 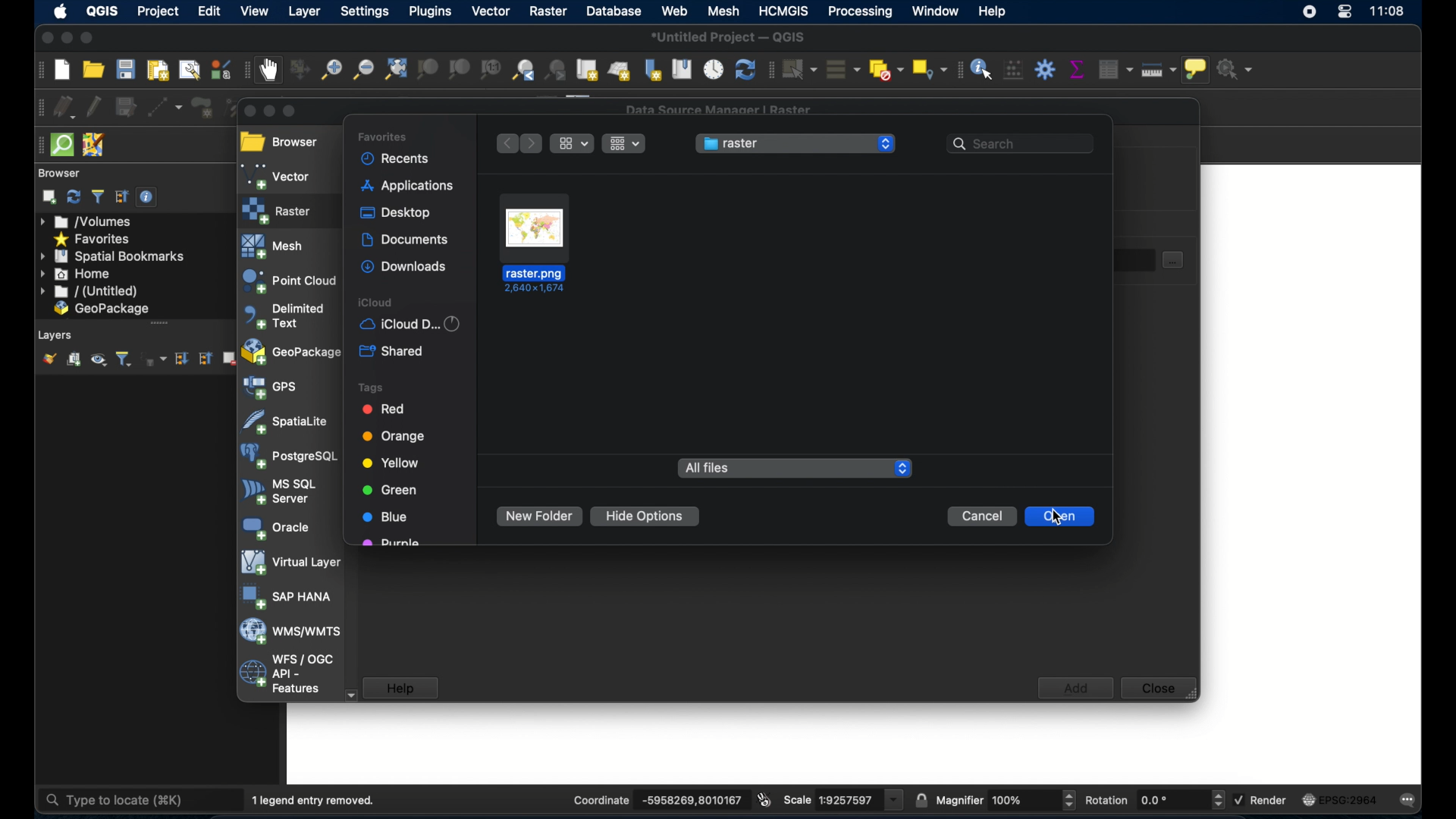 What do you see at coordinates (921, 799) in the screenshot?
I see `lock scale` at bounding box center [921, 799].